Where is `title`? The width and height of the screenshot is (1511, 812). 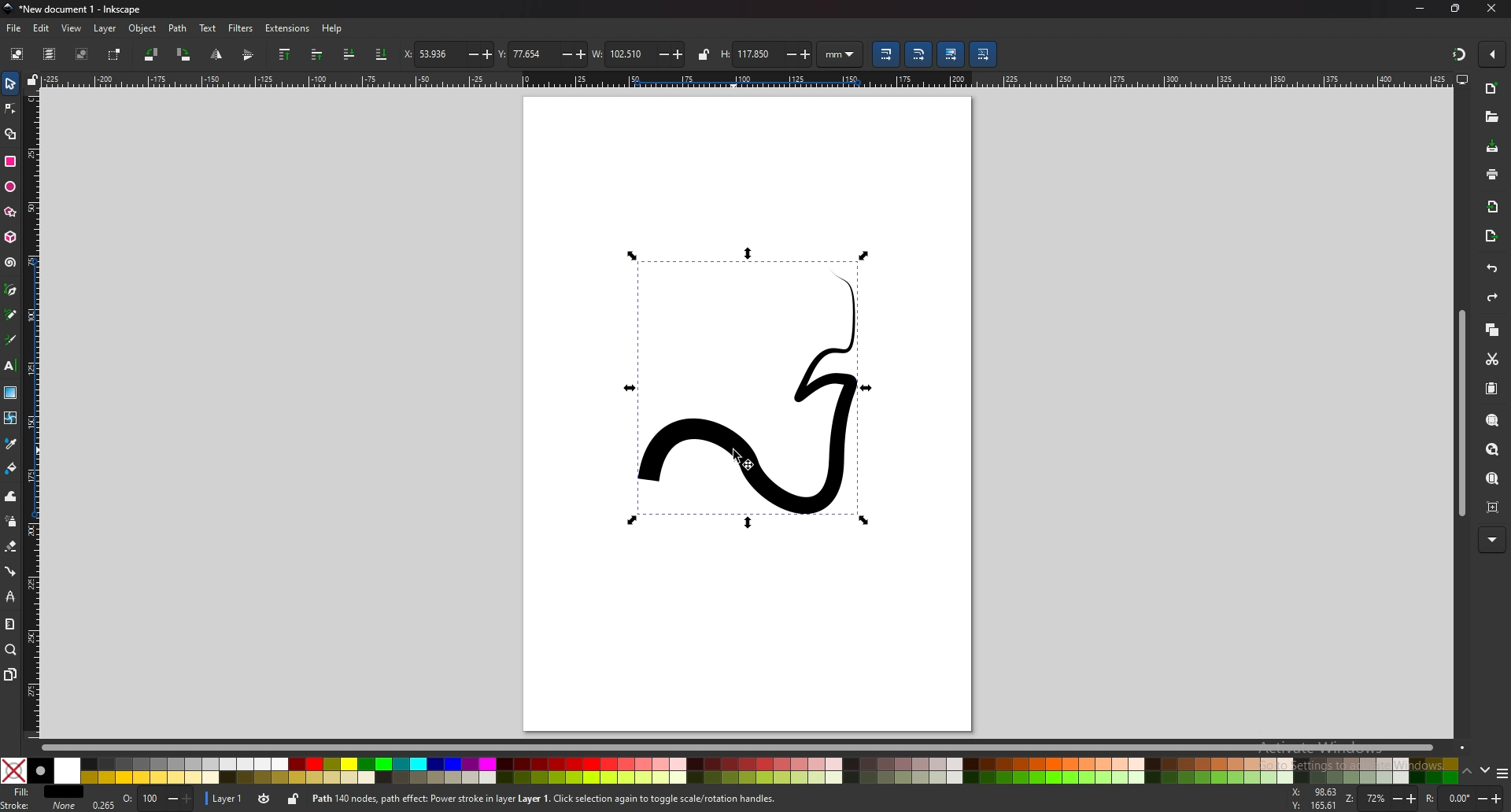
title is located at coordinates (78, 9).